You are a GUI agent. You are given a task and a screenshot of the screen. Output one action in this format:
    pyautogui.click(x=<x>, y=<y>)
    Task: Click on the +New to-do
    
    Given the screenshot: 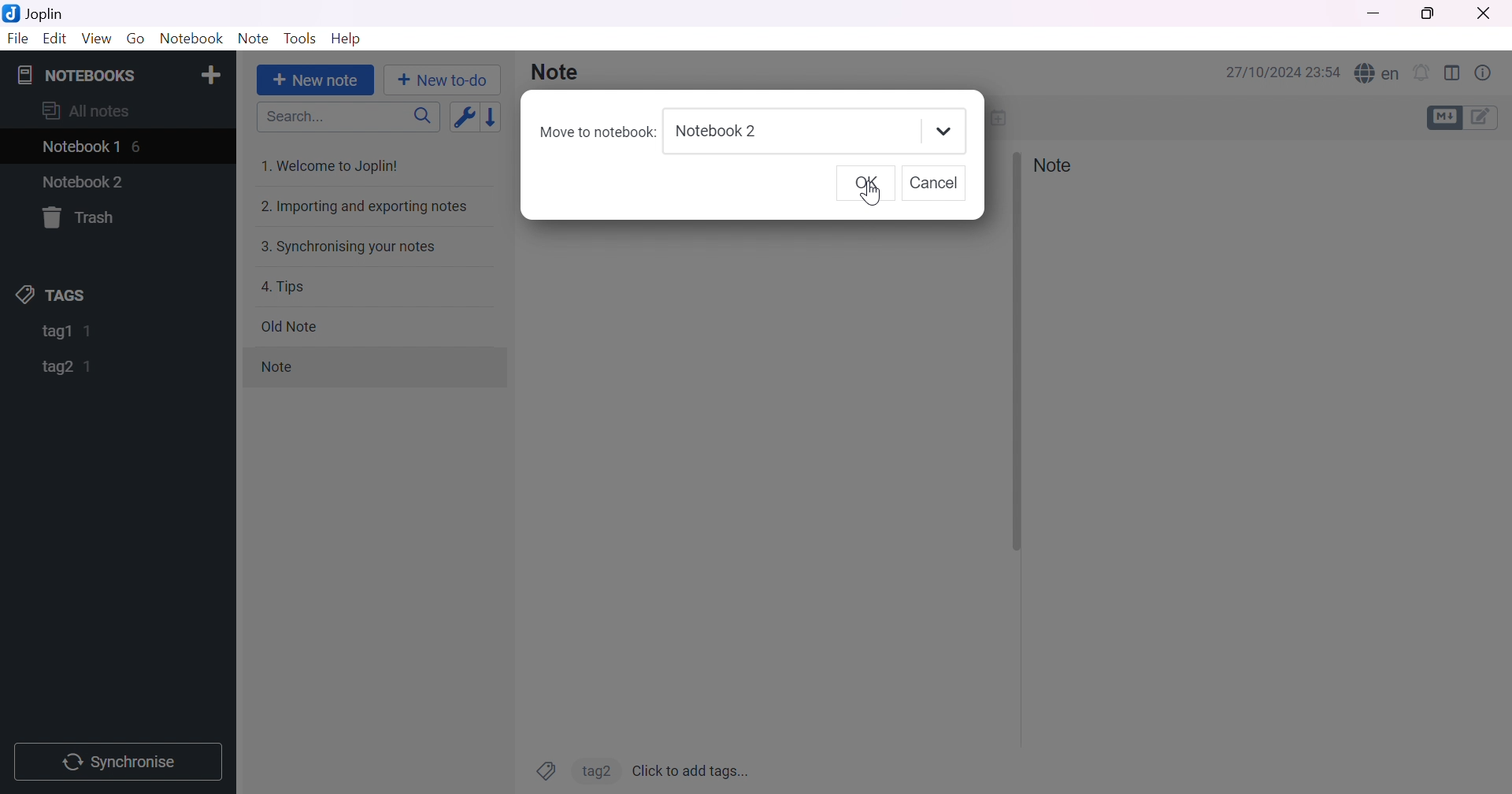 What is the action you would take?
    pyautogui.click(x=447, y=81)
    